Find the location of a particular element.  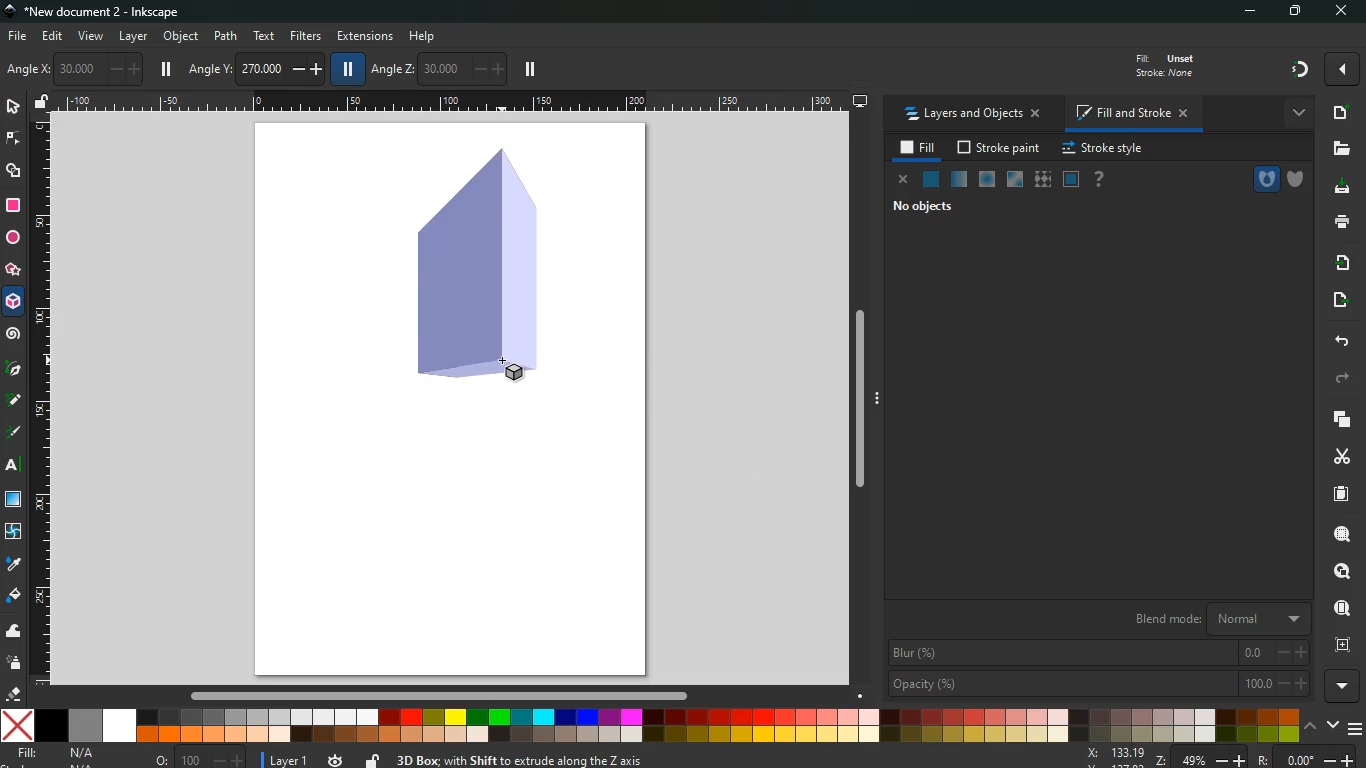

desktop is located at coordinates (861, 101).